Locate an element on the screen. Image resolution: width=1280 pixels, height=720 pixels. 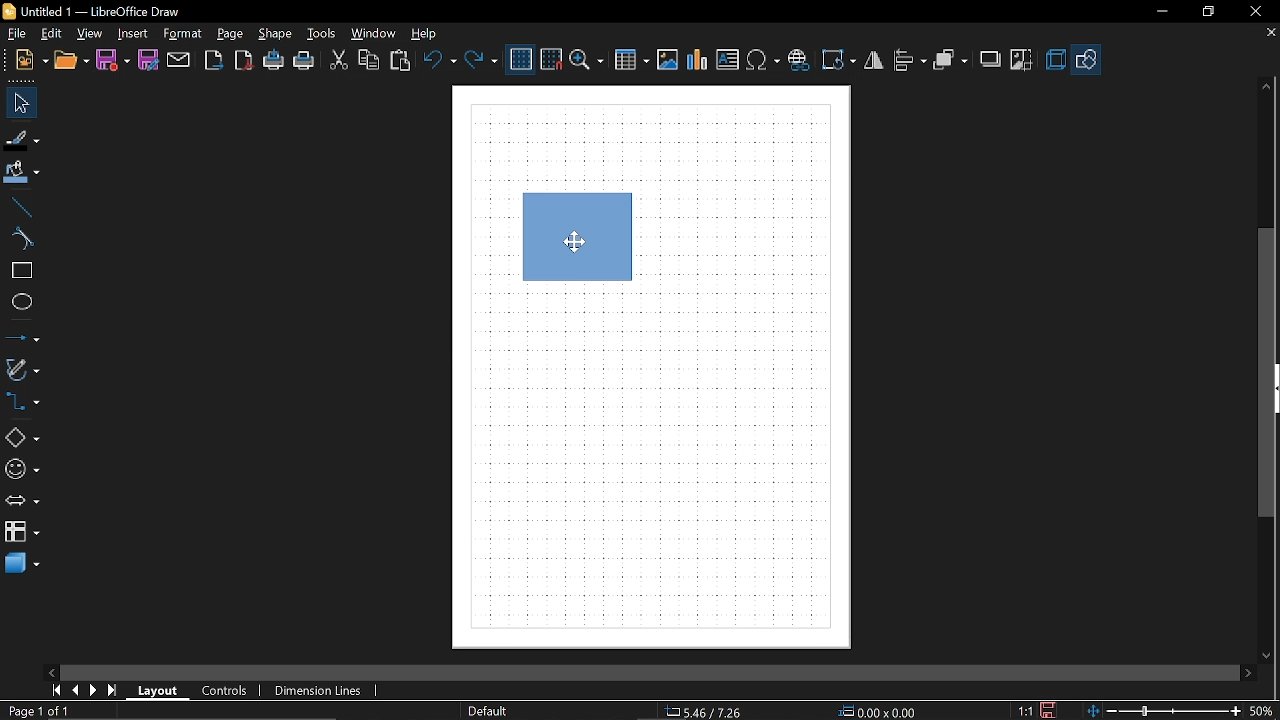
next page is located at coordinates (94, 691).